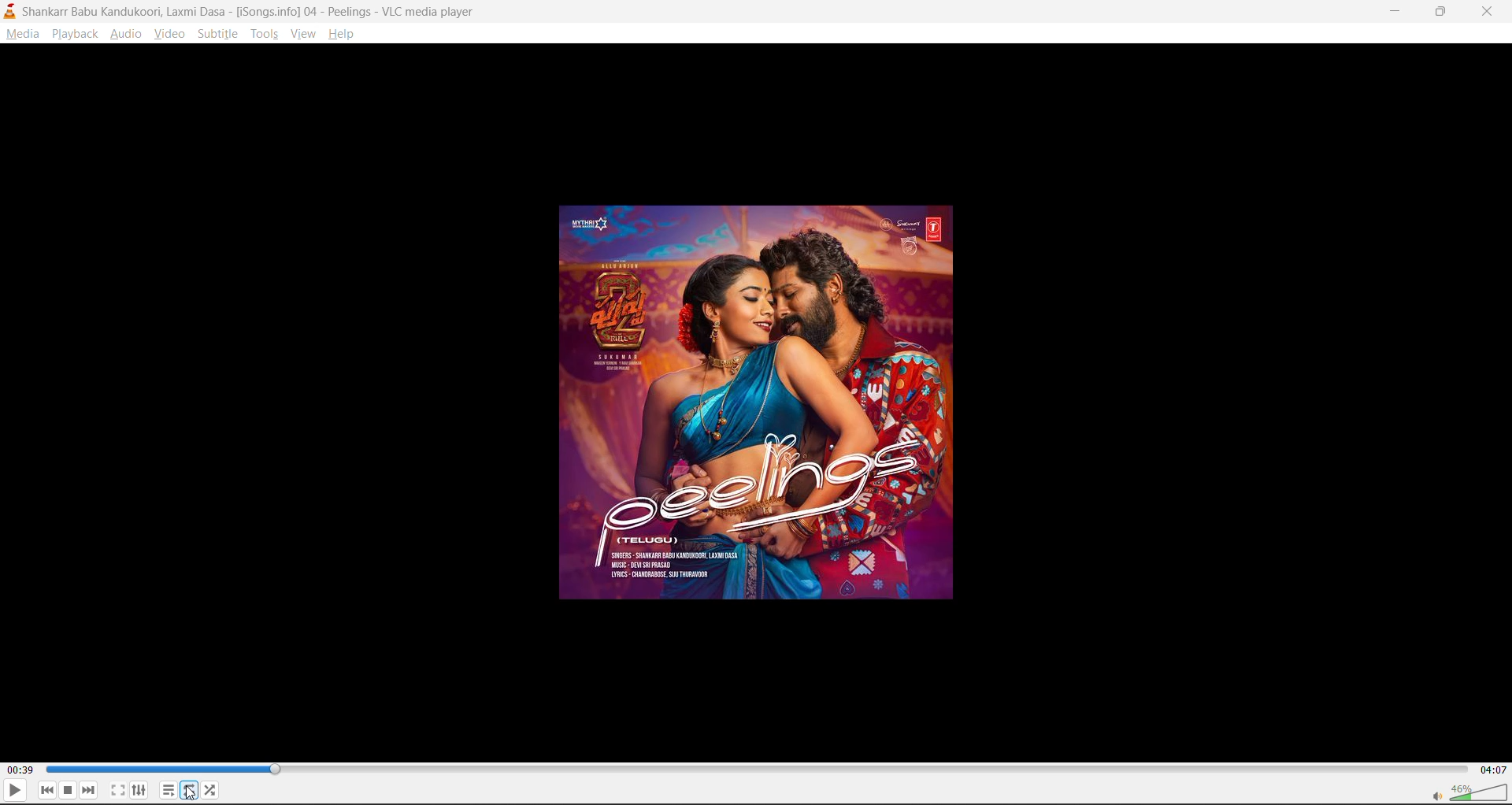 The width and height of the screenshot is (1512, 805). What do you see at coordinates (15, 793) in the screenshot?
I see `play` at bounding box center [15, 793].